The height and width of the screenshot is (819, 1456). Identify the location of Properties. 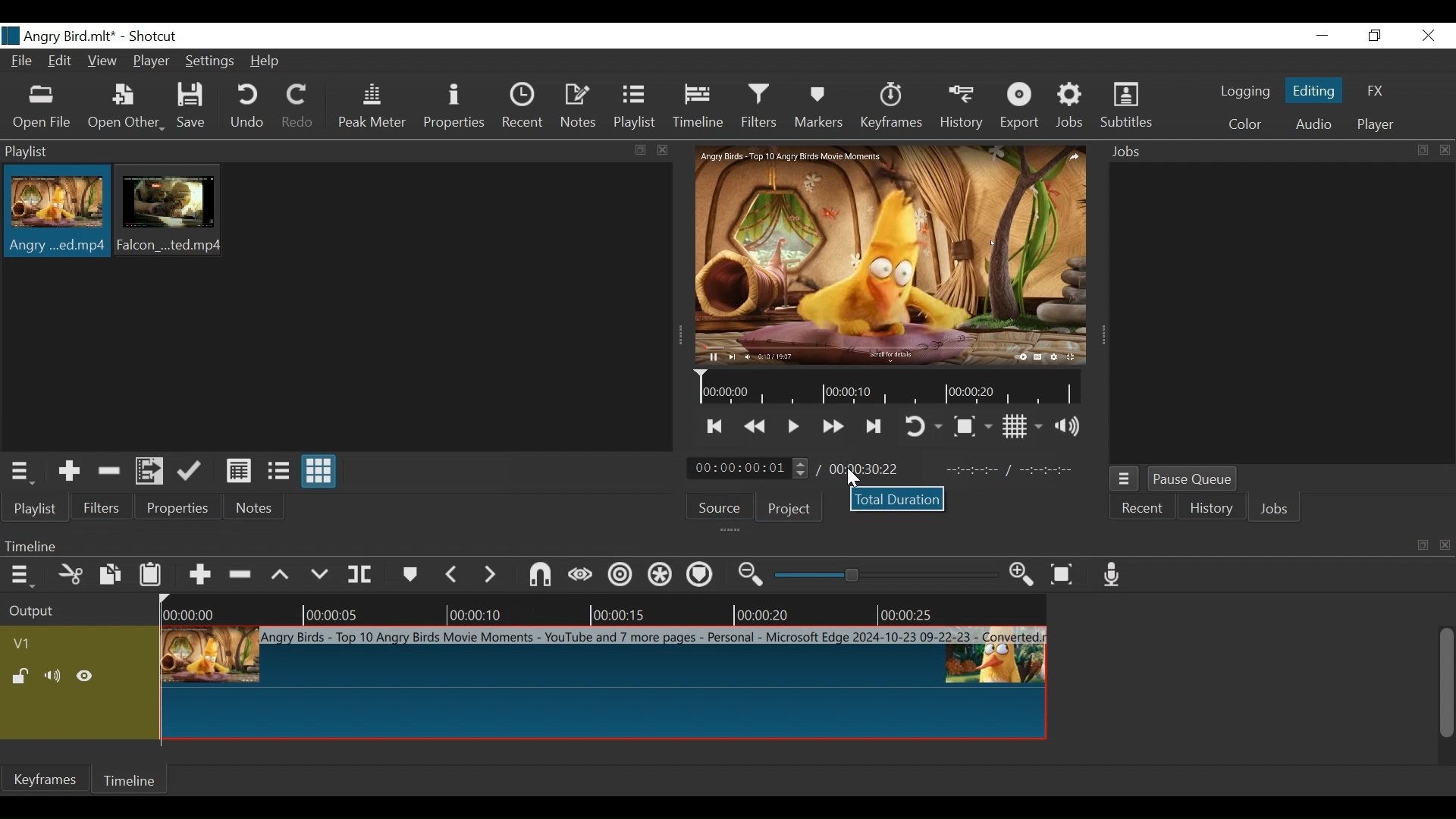
(456, 107).